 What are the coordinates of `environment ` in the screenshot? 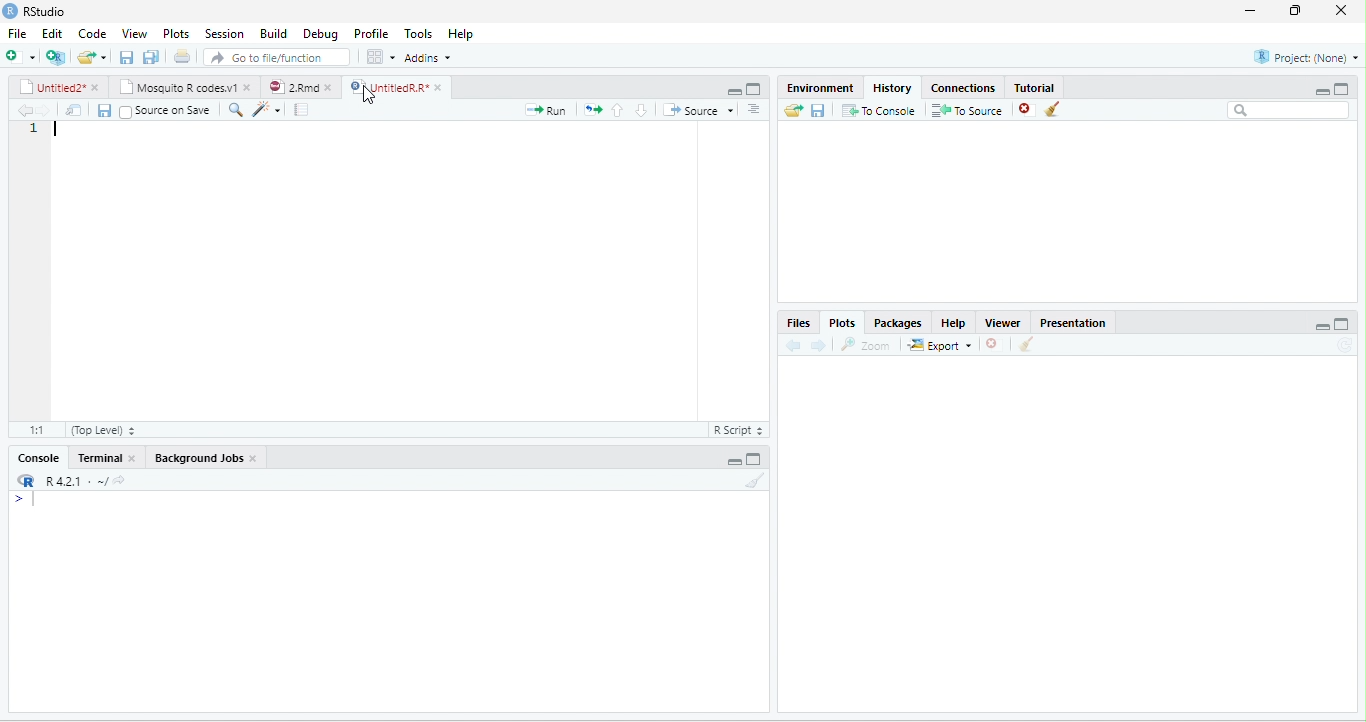 It's located at (812, 86).